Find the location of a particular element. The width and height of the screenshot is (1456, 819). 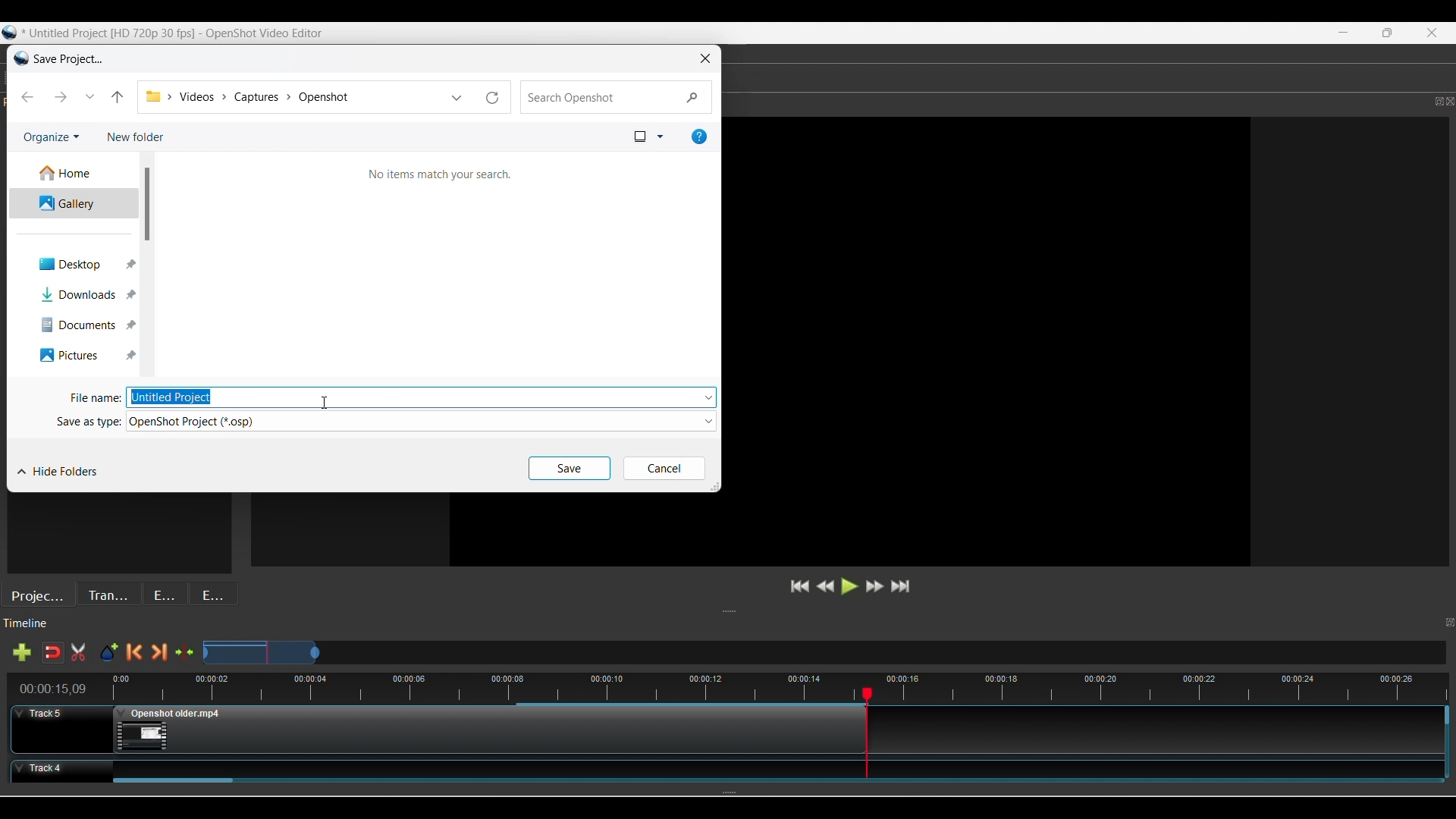

Move up one folder is located at coordinates (118, 96).